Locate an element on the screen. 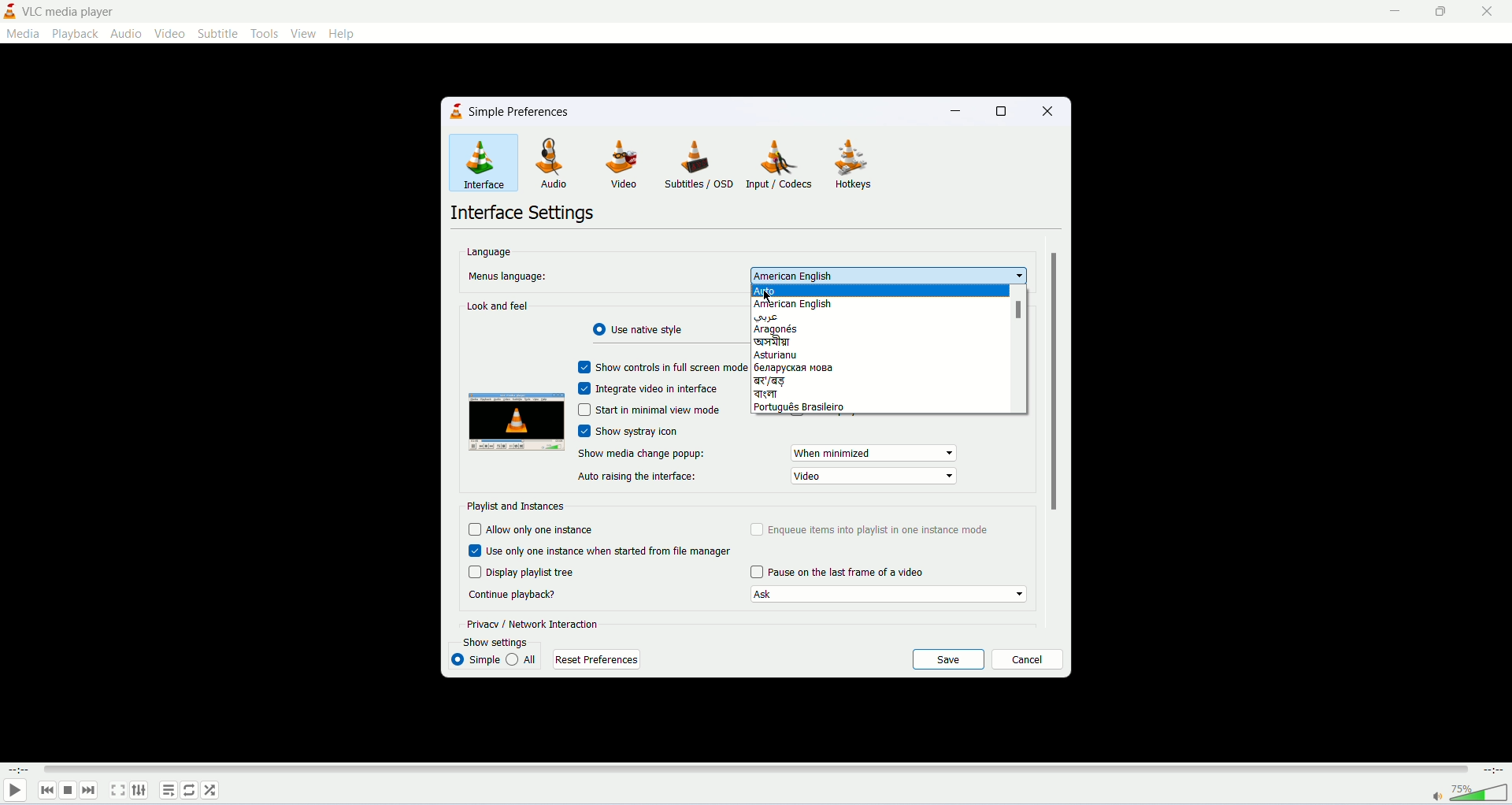  use only one instance When started from file manager is located at coordinates (601, 551).